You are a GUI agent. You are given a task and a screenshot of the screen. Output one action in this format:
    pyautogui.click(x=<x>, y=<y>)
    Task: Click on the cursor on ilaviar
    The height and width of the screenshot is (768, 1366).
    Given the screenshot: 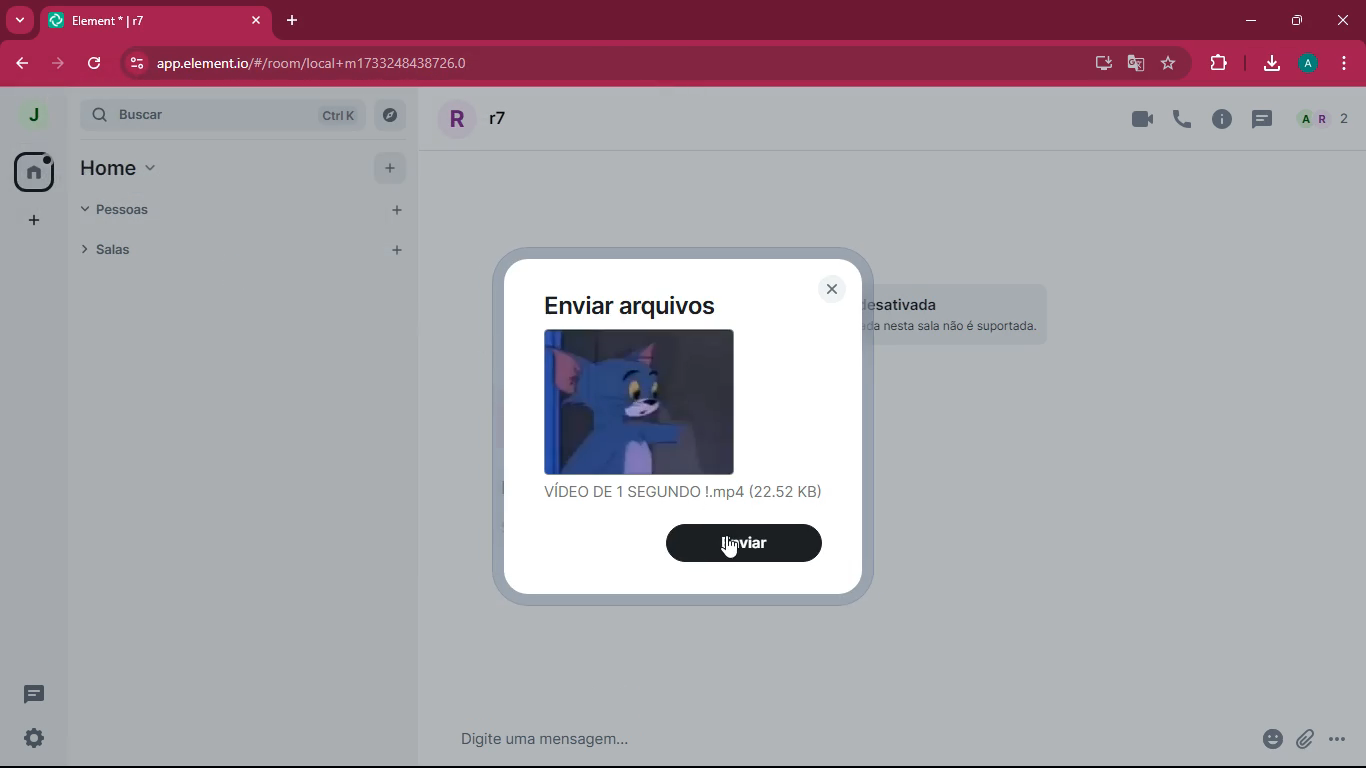 What is the action you would take?
    pyautogui.click(x=729, y=554)
    